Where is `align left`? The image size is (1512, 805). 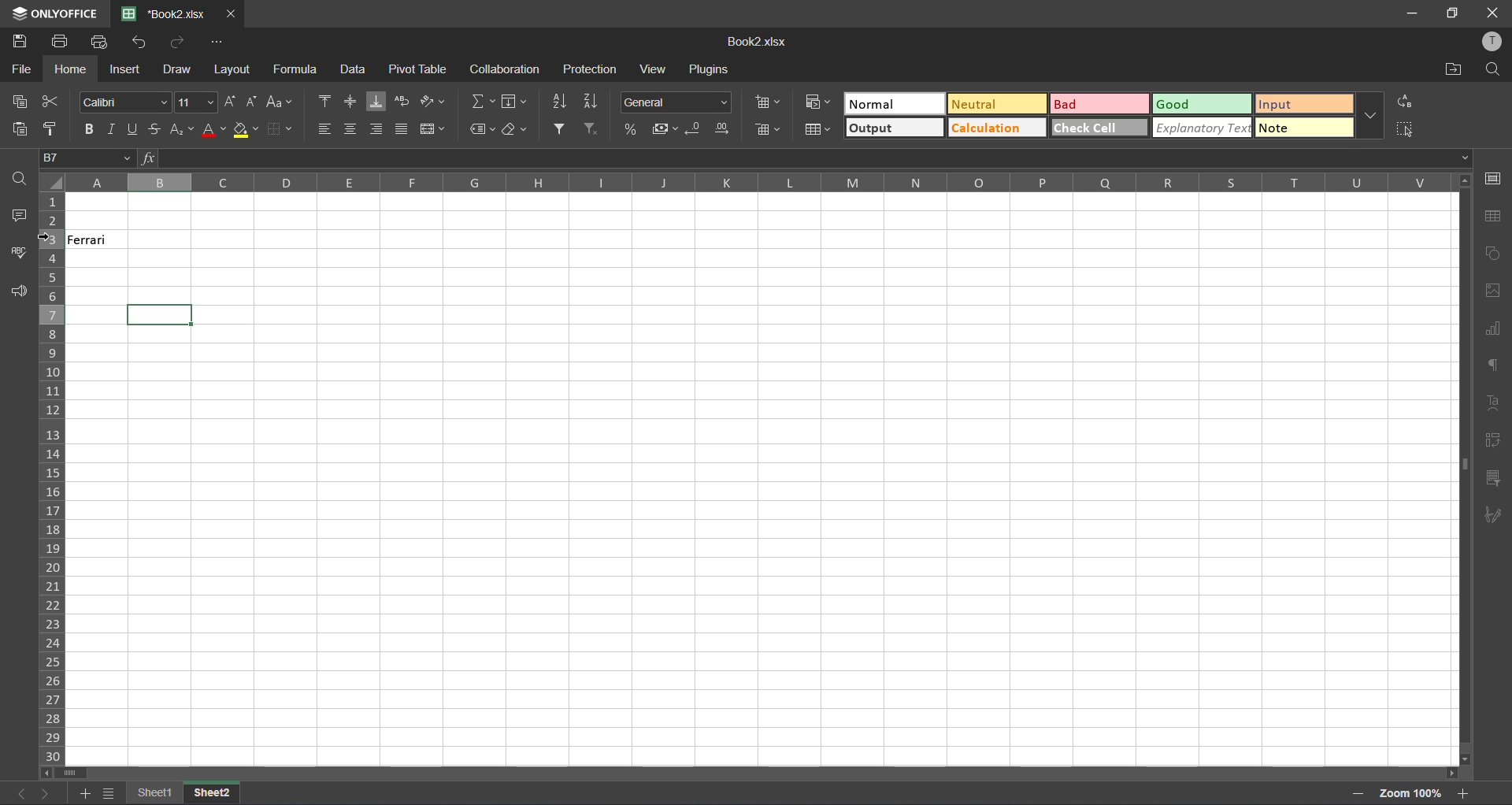 align left is located at coordinates (323, 128).